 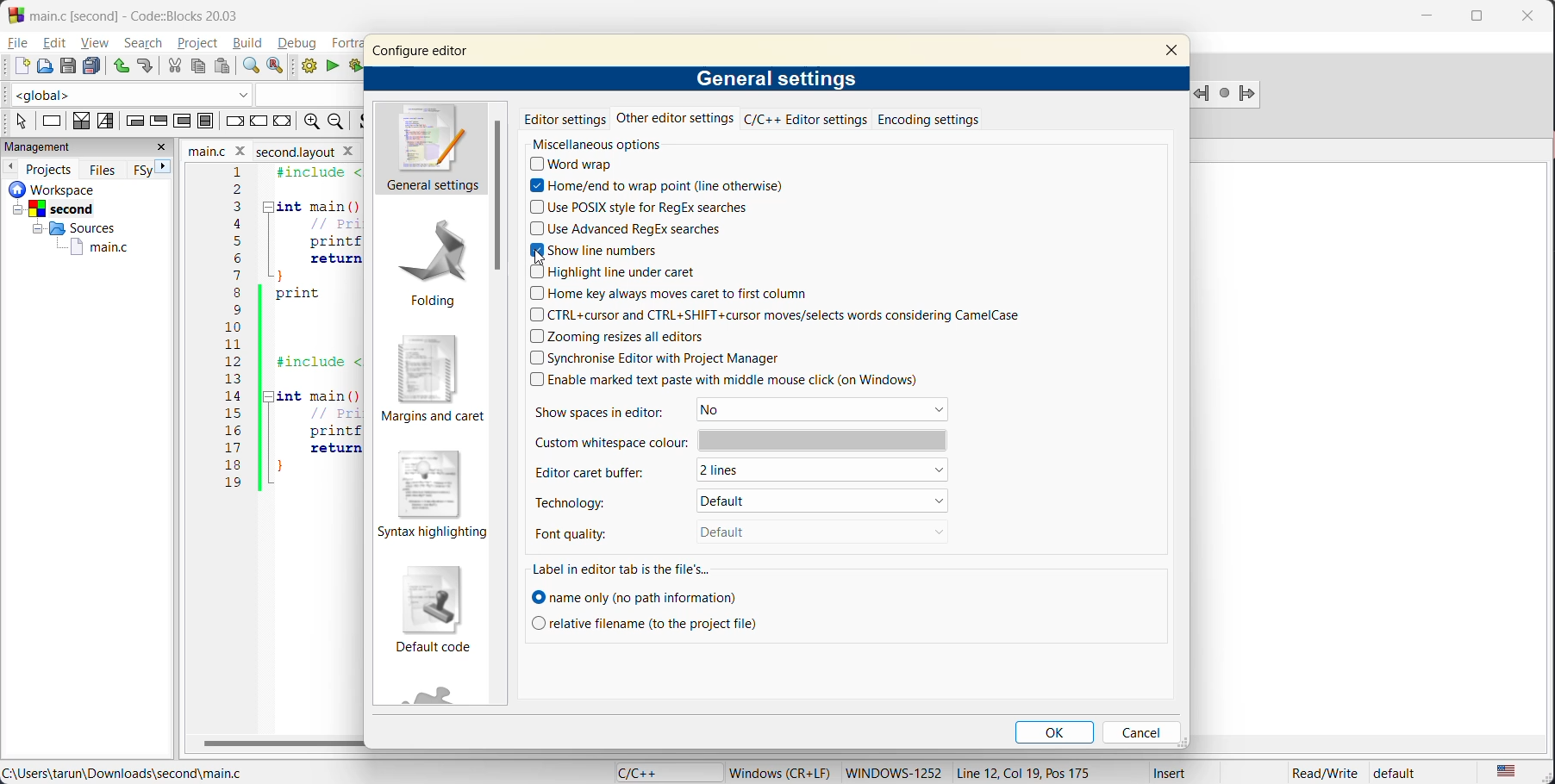 I want to click on folding, so click(x=434, y=259).